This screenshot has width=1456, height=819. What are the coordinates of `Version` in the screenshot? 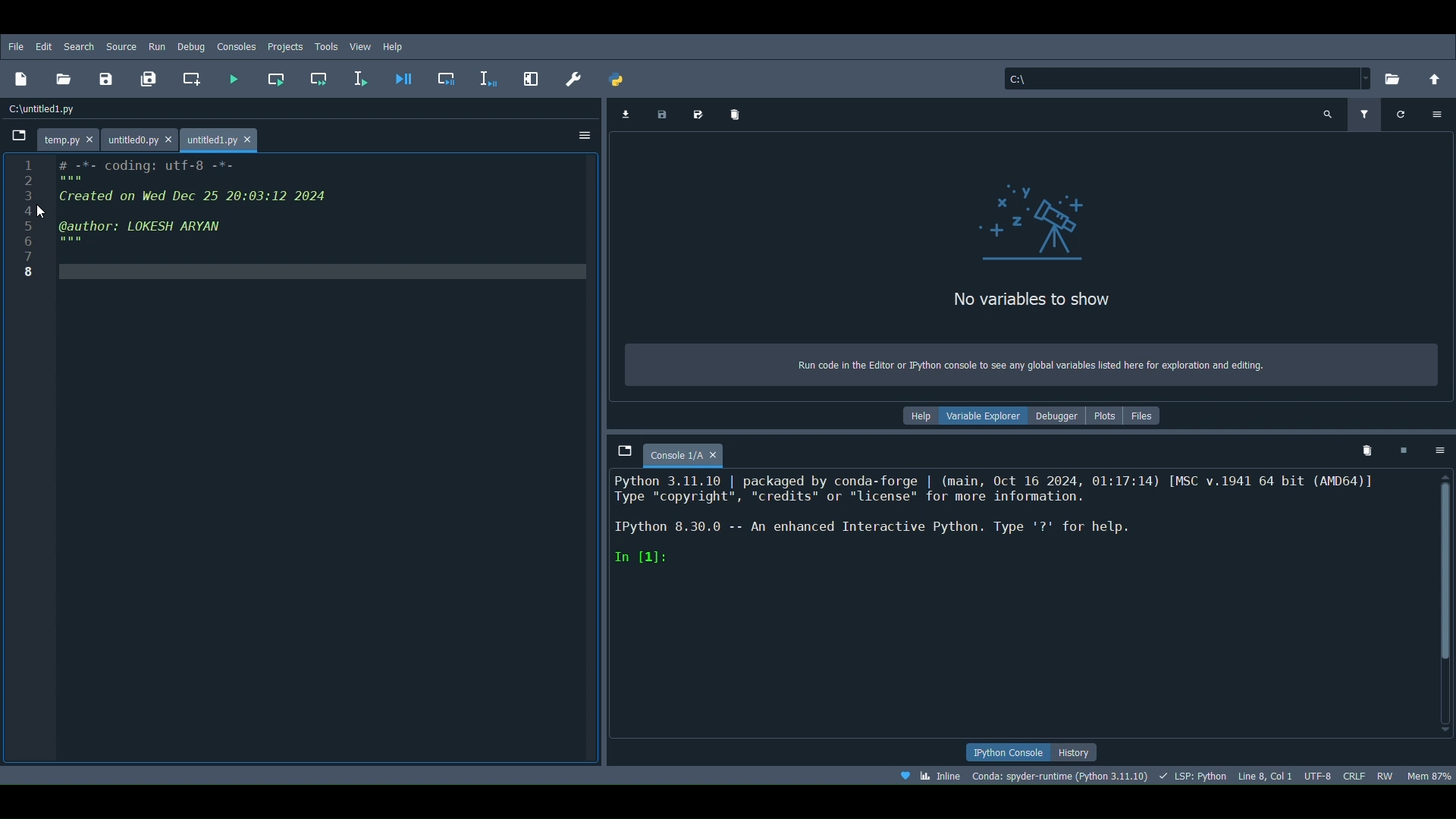 It's located at (1060, 775).